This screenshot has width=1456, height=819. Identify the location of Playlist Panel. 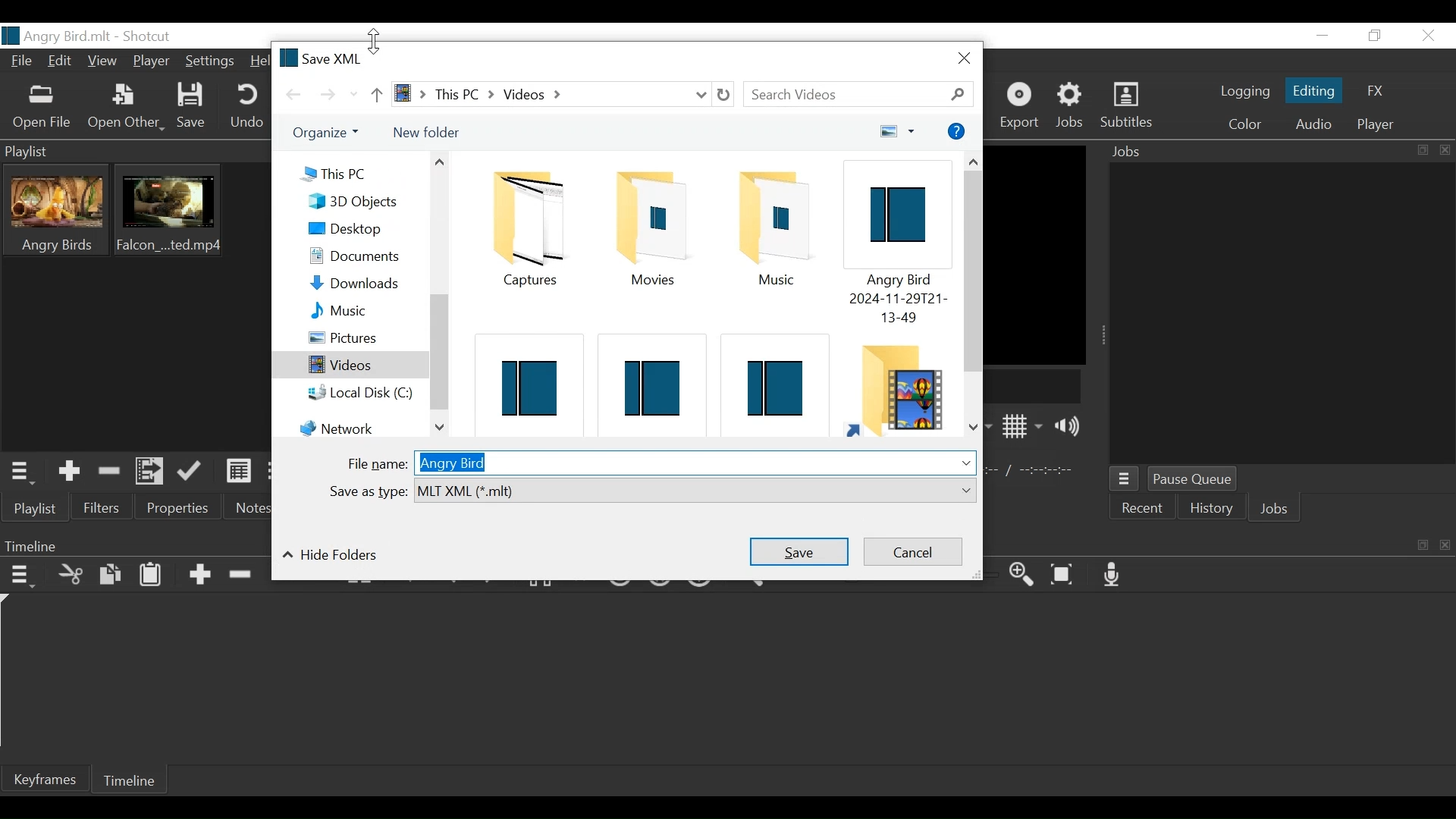
(132, 149).